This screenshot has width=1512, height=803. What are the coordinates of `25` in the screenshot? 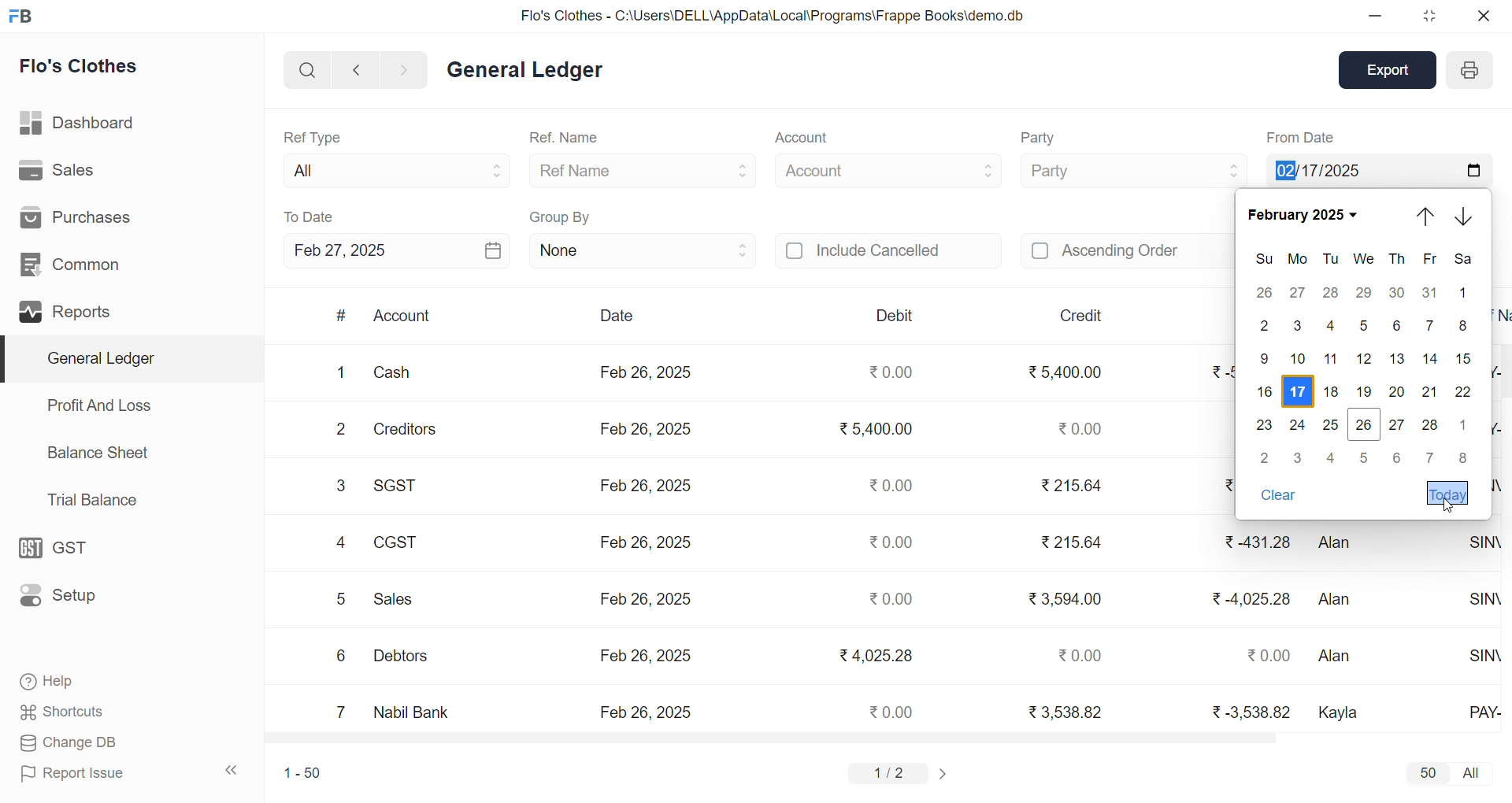 It's located at (1332, 424).